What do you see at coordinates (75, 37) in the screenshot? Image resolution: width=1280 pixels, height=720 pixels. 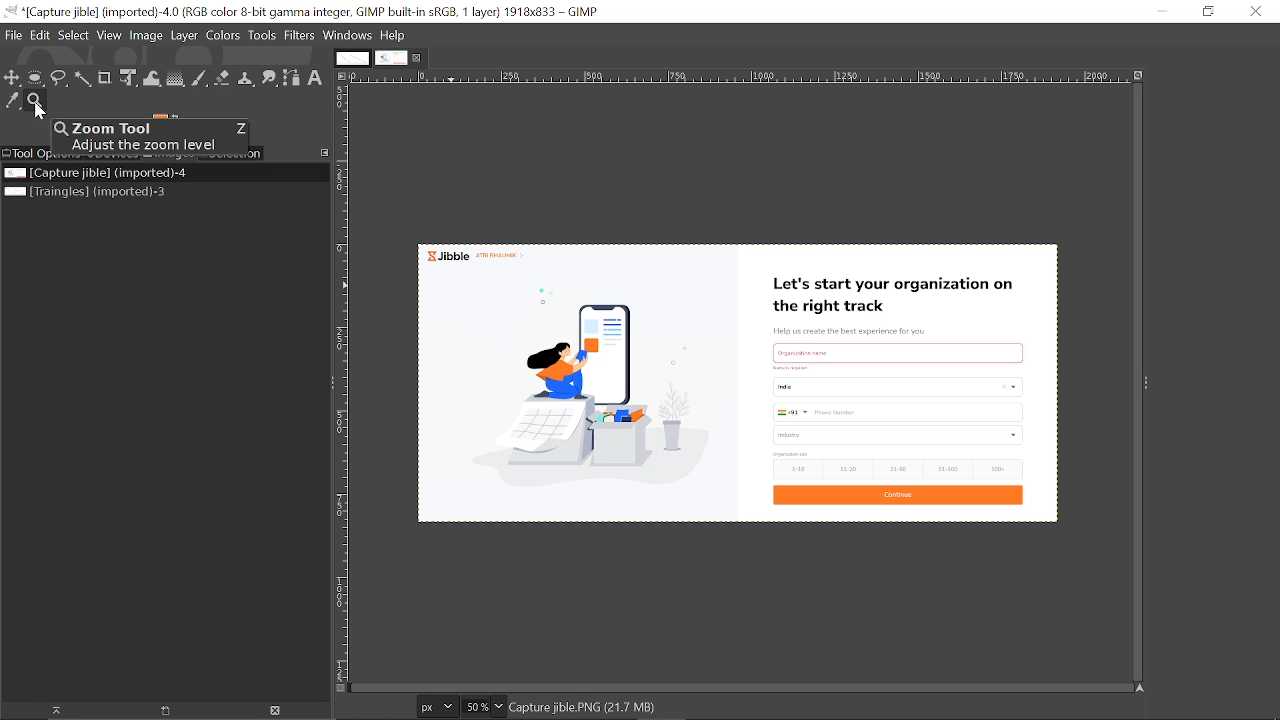 I see `Select` at bounding box center [75, 37].